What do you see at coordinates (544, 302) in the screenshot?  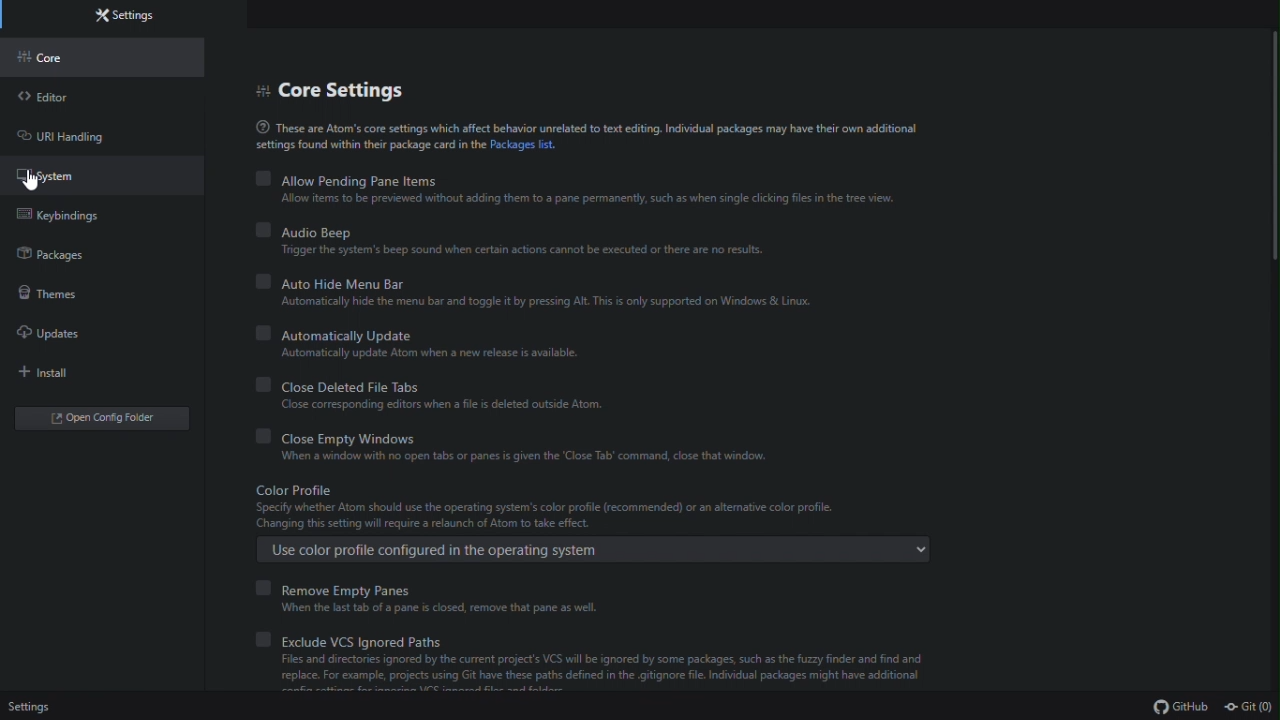 I see `Automatically hide the menu bar and toggle it by pressing Alt. This is only supported on Windows & Linux.` at bounding box center [544, 302].